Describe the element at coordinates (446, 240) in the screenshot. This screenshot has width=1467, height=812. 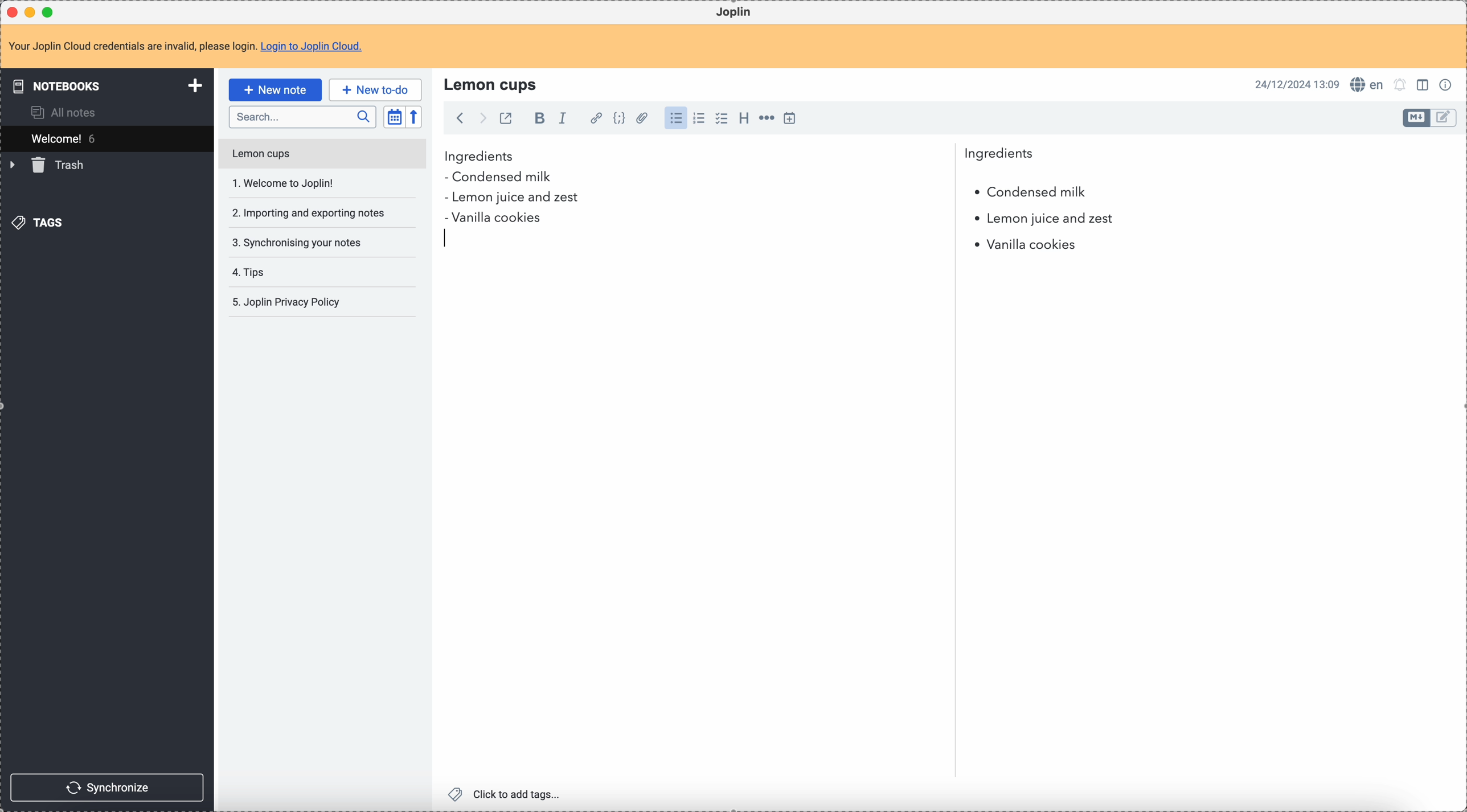
I see `remove bullet point` at that location.